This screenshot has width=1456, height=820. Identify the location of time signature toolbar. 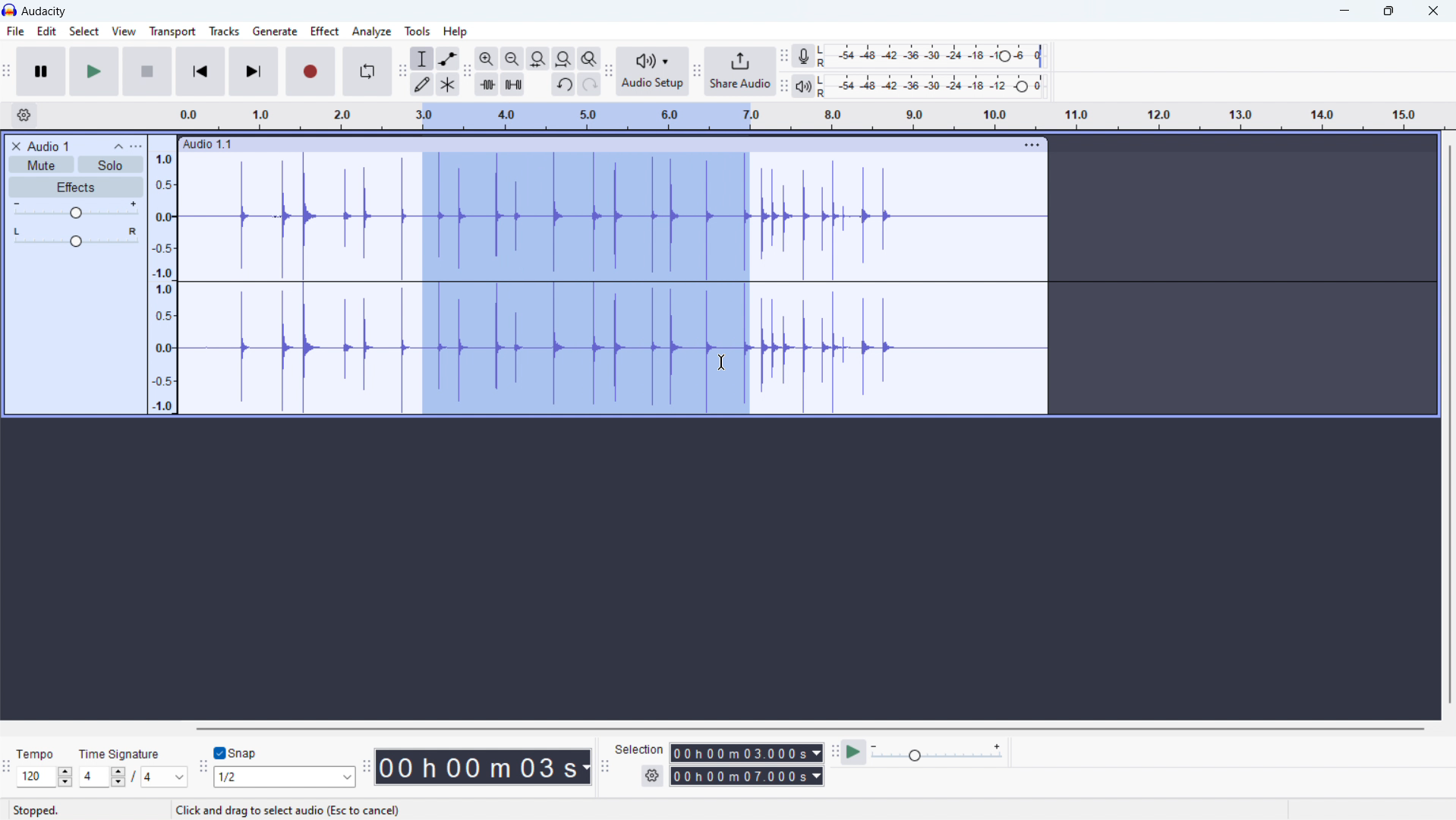
(7, 769).